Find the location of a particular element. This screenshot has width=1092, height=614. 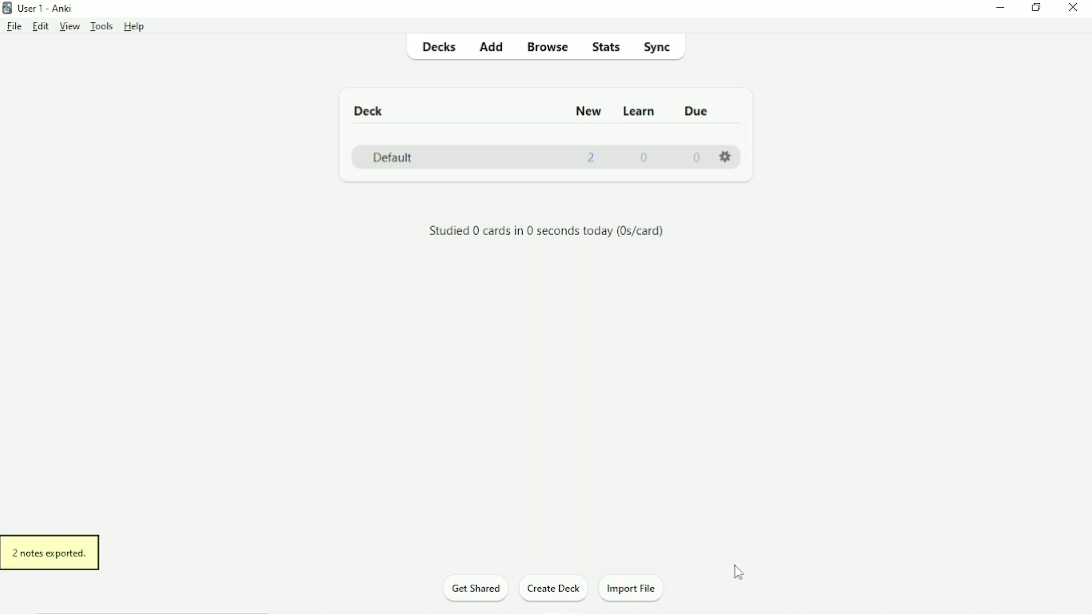

Add is located at coordinates (492, 46).